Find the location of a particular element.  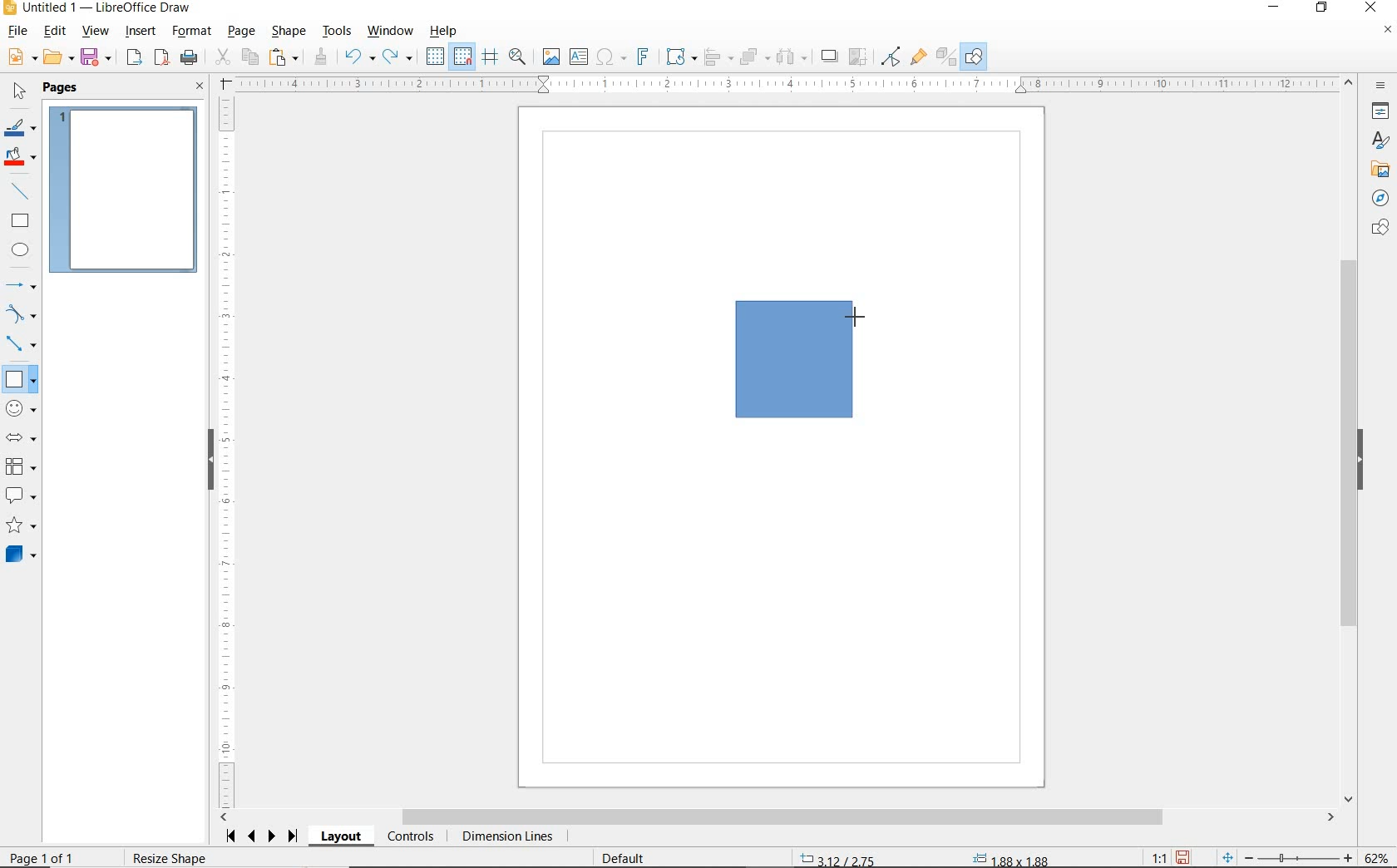

NAVIGATOR is located at coordinates (1380, 196).